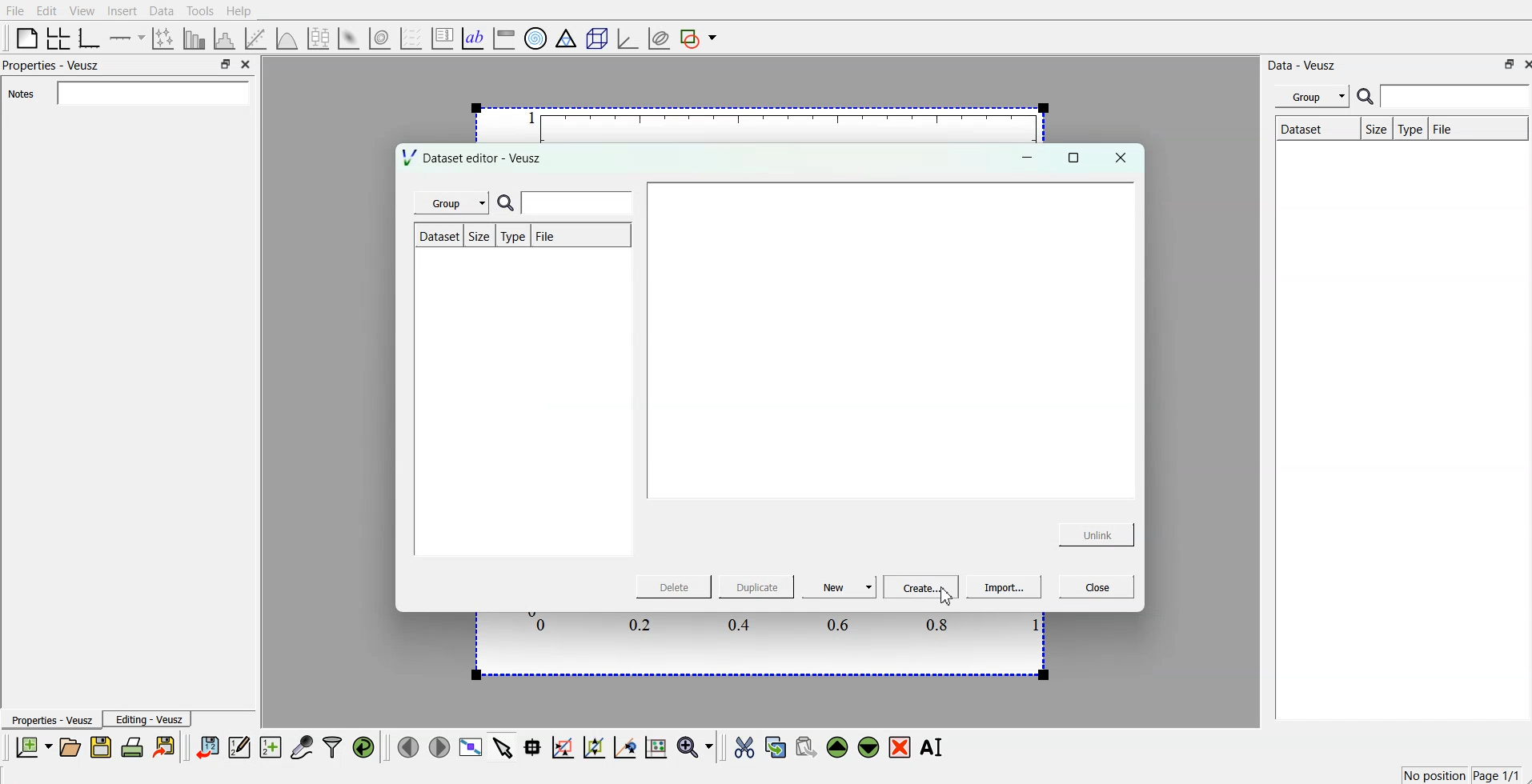 The image size is (1532, 784). I want to click on Delete, so click(676, 587).